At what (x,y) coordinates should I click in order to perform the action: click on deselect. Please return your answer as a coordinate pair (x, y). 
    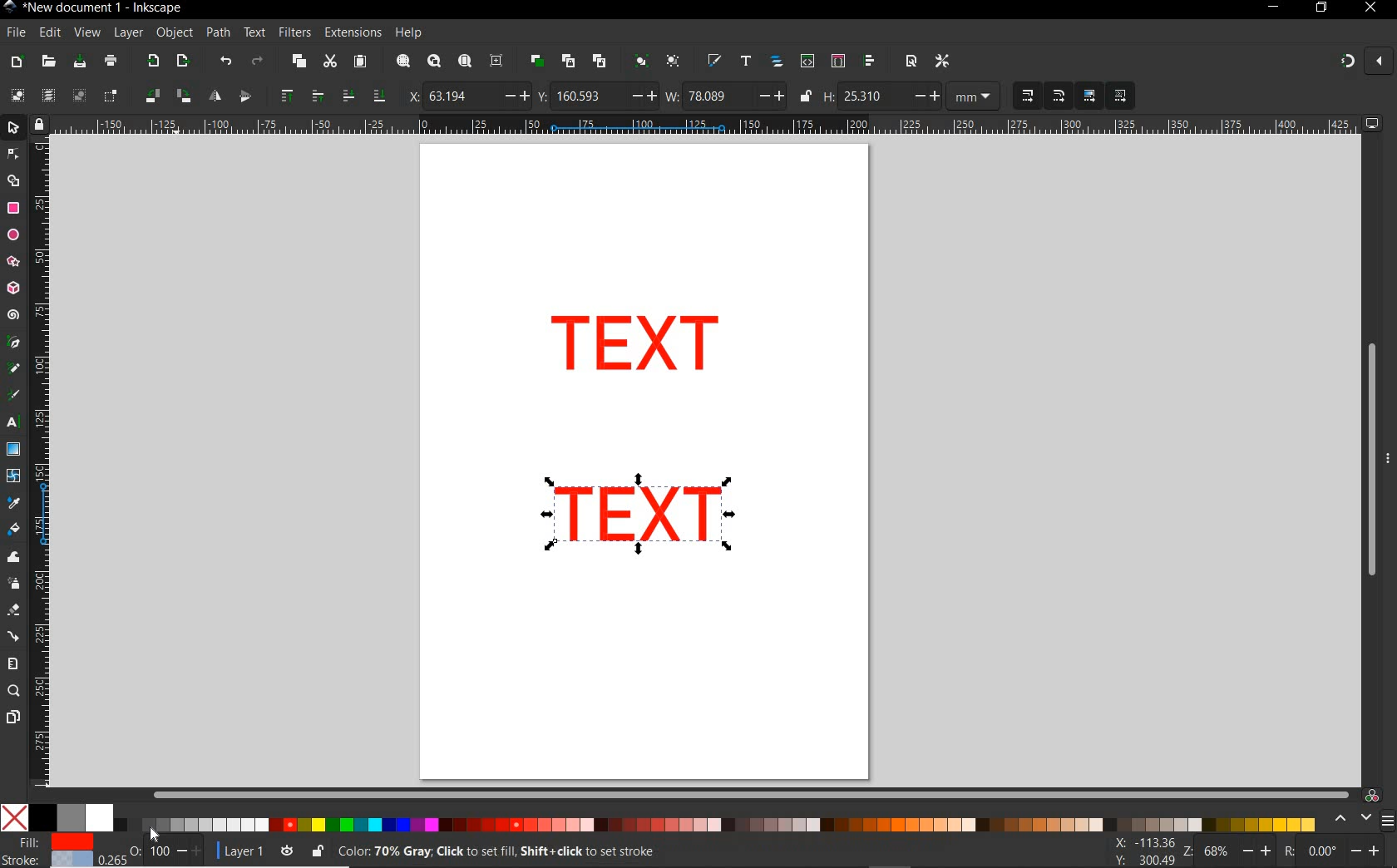
    Looking at the image, I should click on (77, 96).